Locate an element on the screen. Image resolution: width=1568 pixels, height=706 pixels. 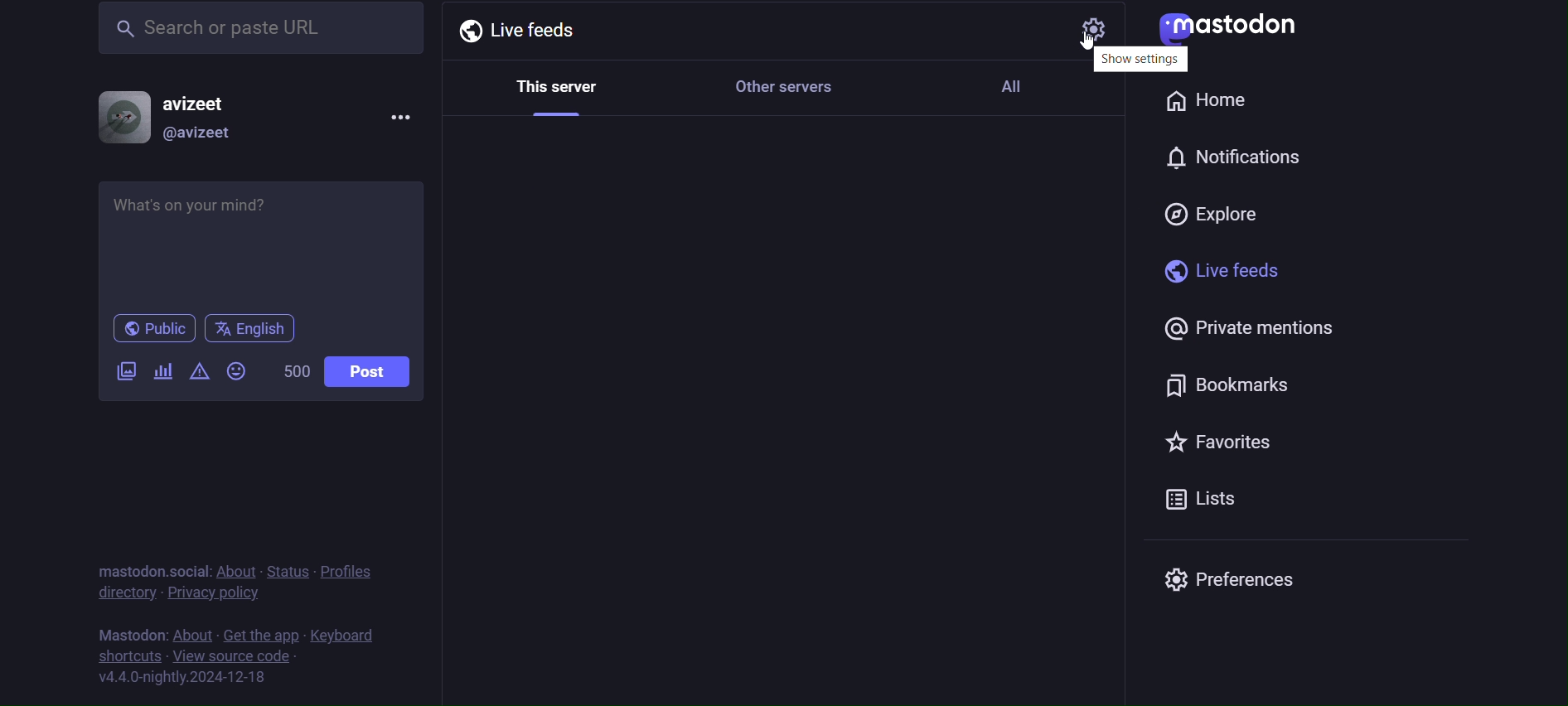
mastodon is located at coordinates (1227, 30).